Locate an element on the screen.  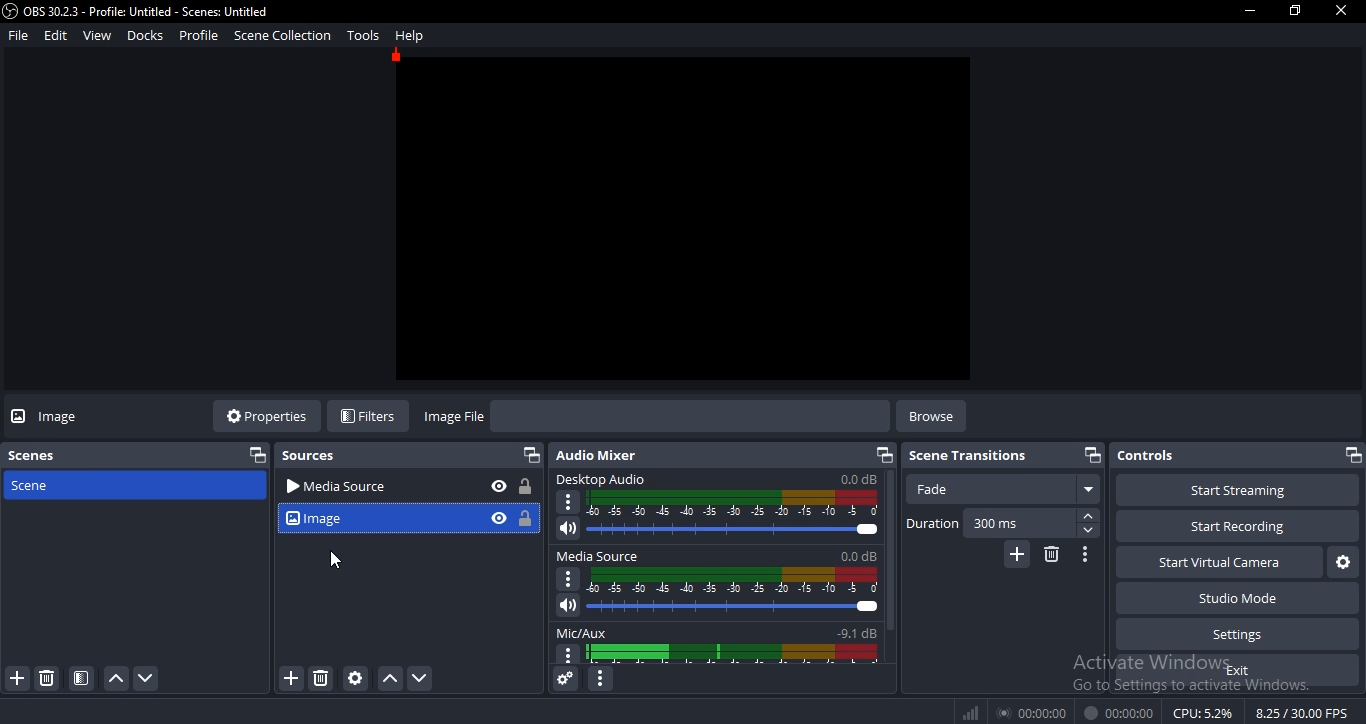
minimize is located at coordinates (1247, 11).